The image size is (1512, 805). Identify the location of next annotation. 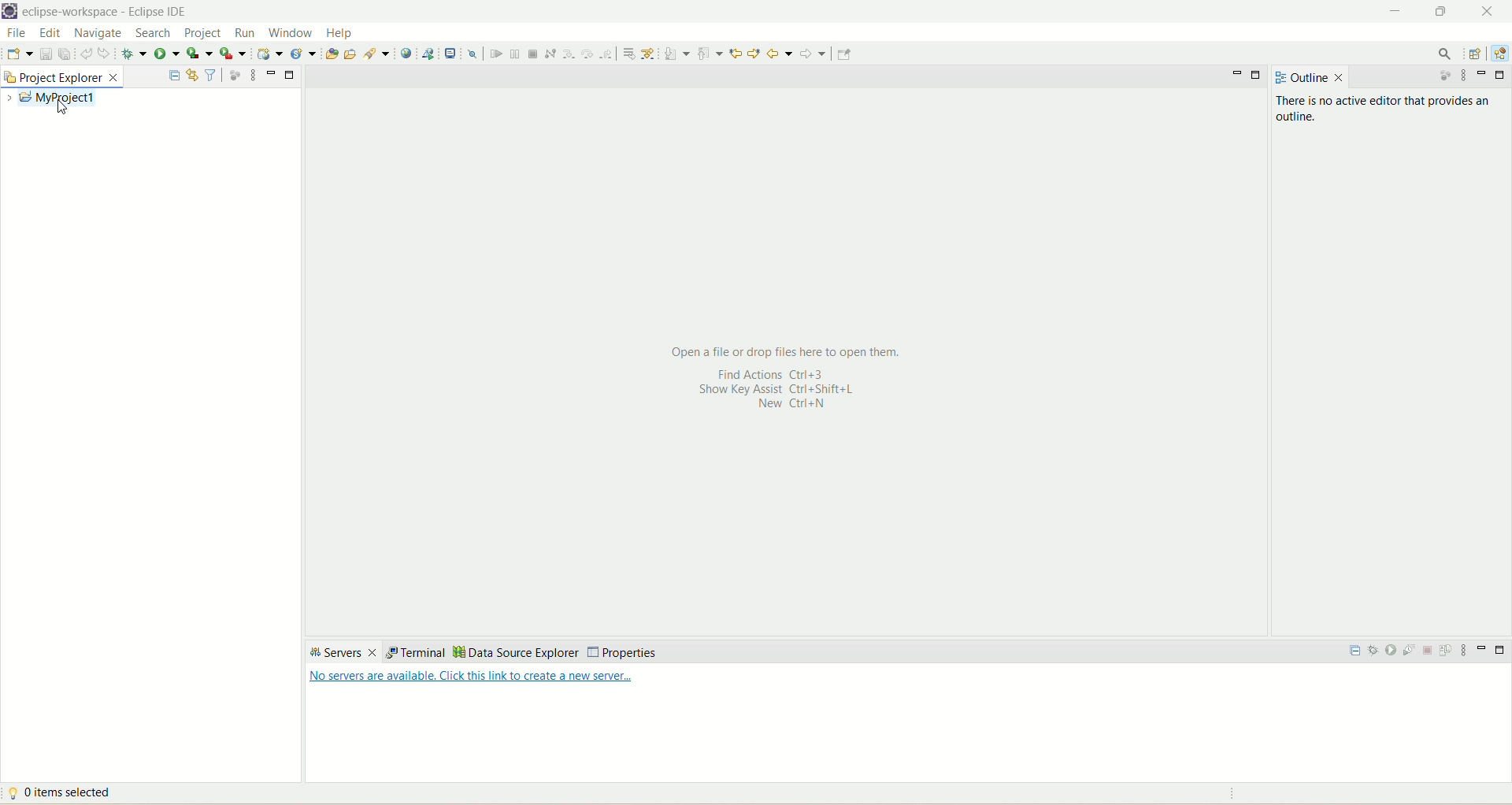
(678, 55).